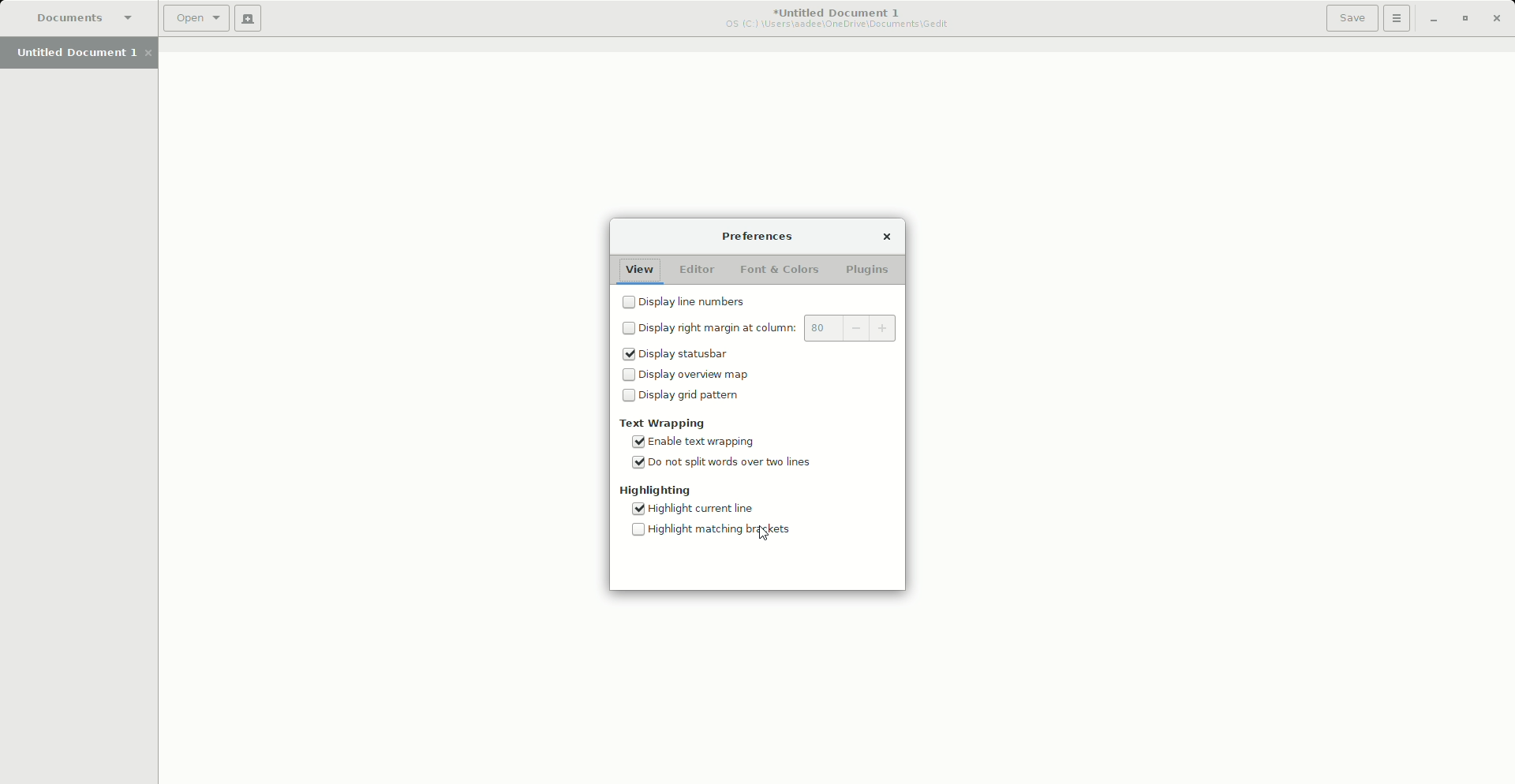  I want to click on Save, so click(1346, 18).